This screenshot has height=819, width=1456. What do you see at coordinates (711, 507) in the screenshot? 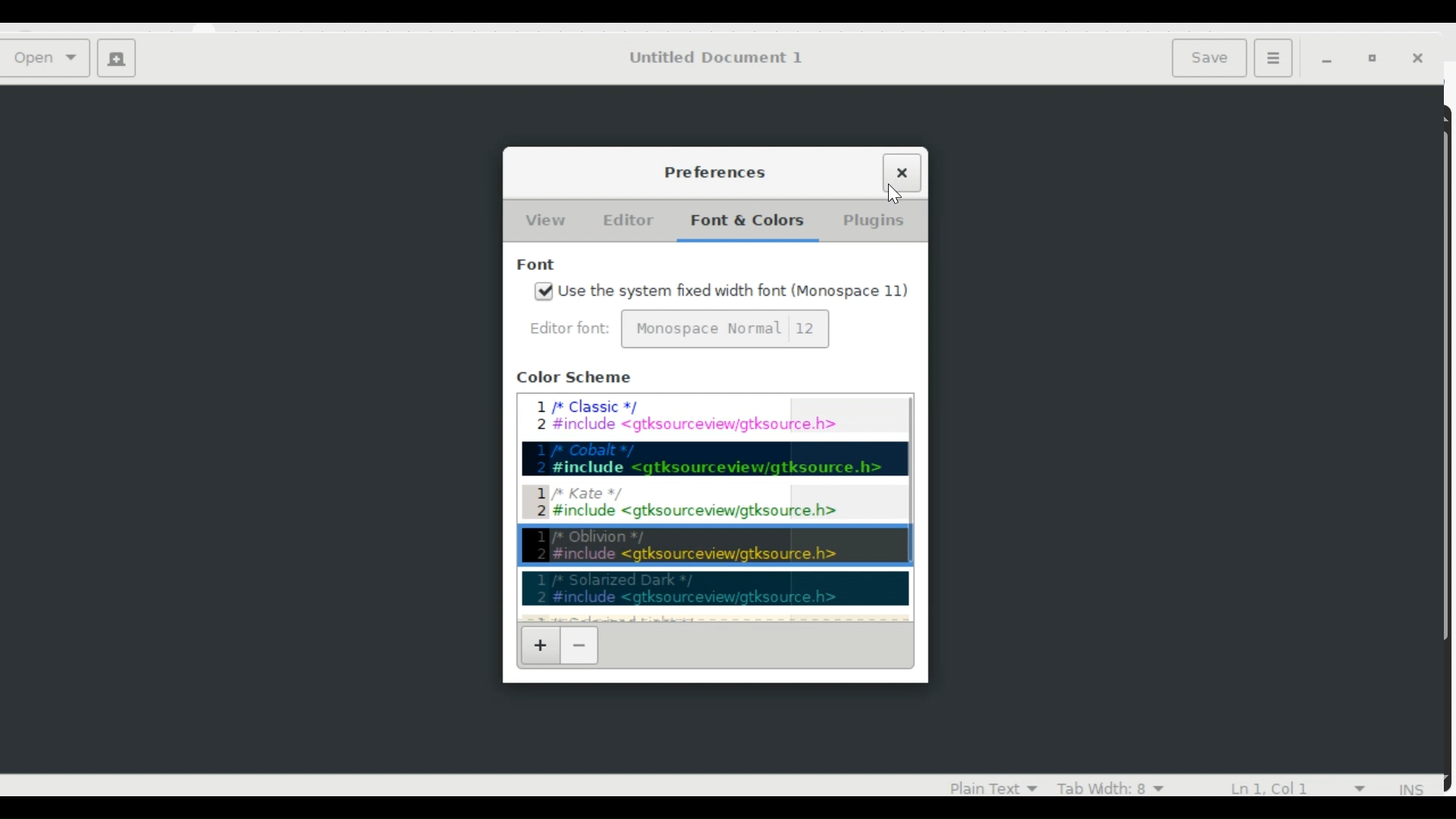
I see `Color Scheme Options` at bounding box center [711, 507].